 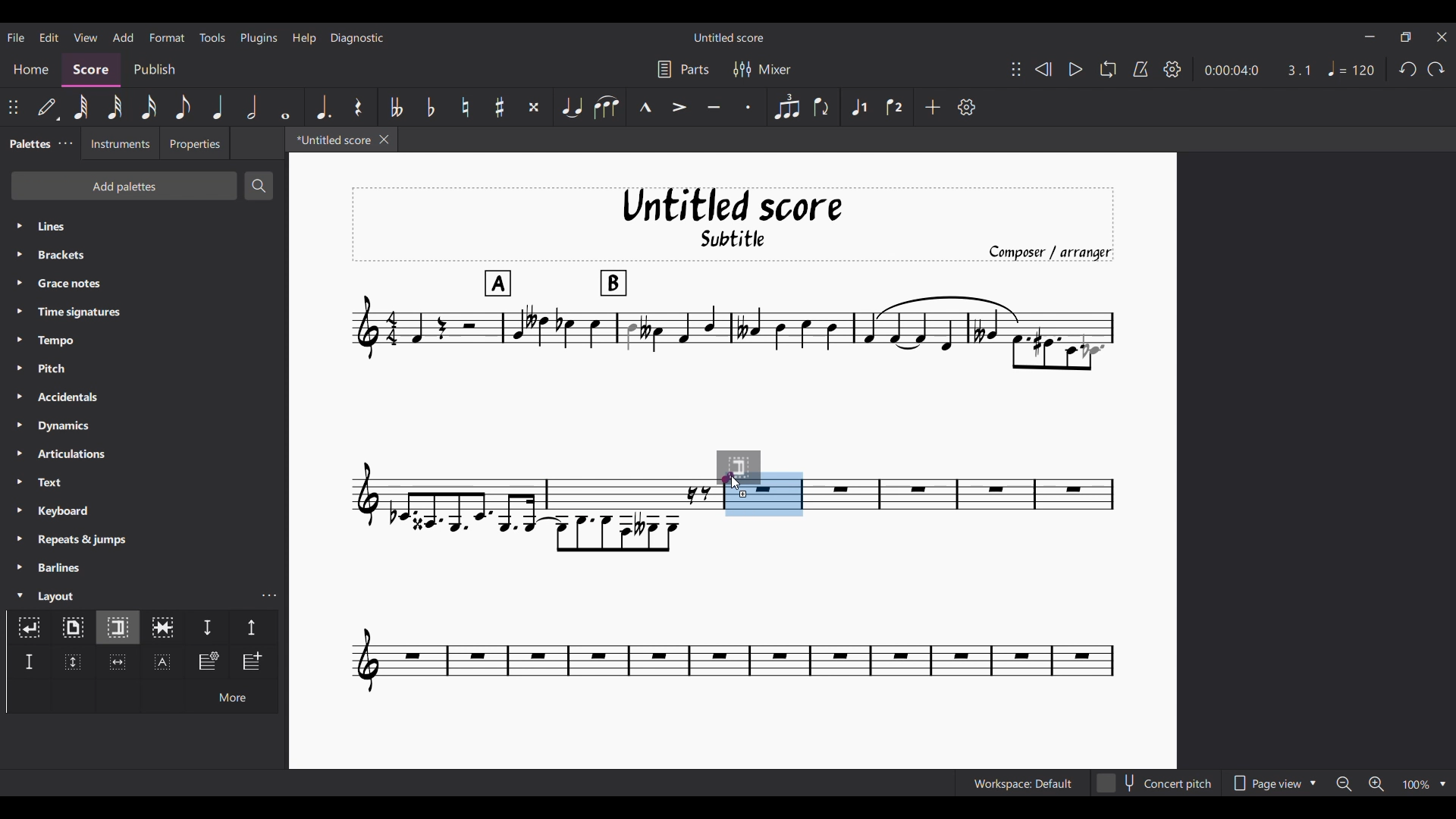 What do you see at coordinates (1043, 69) in the screenshot?
I see `Rewind` at bounding box center [1043, 69].